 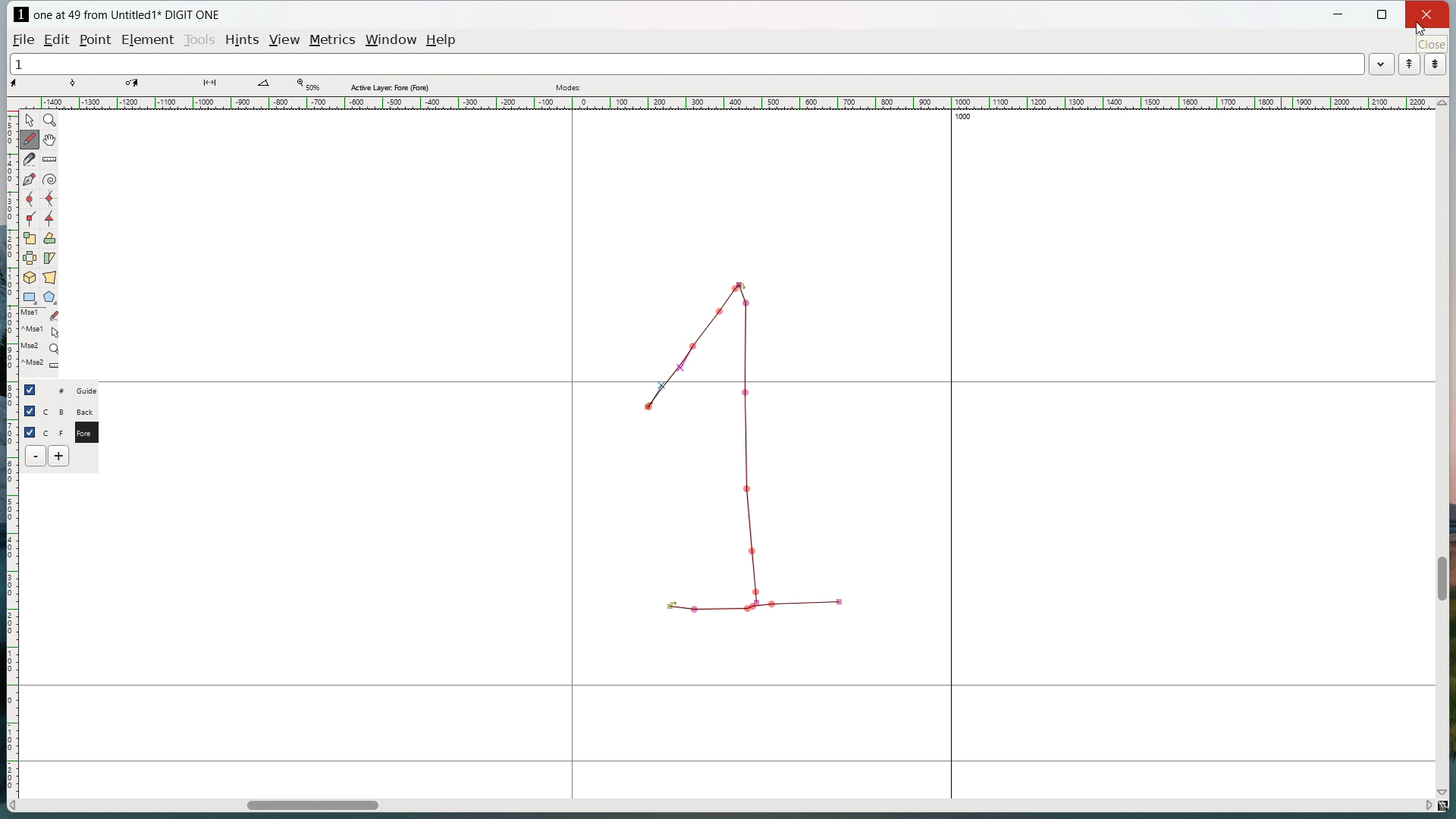 I want to click on file, so click(x=24, y=39).